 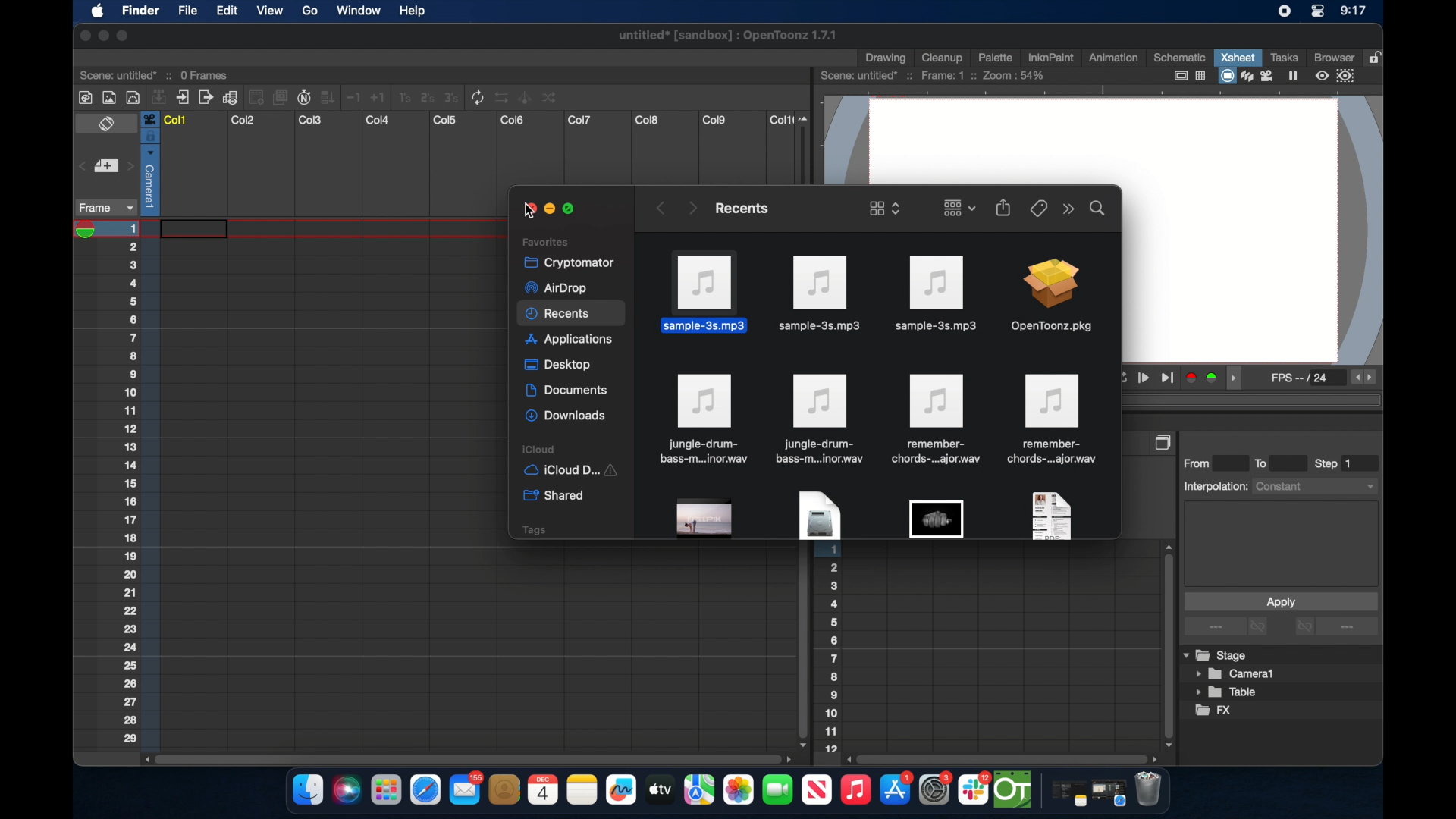 I want to click on columns, so click(x=477, y=120).